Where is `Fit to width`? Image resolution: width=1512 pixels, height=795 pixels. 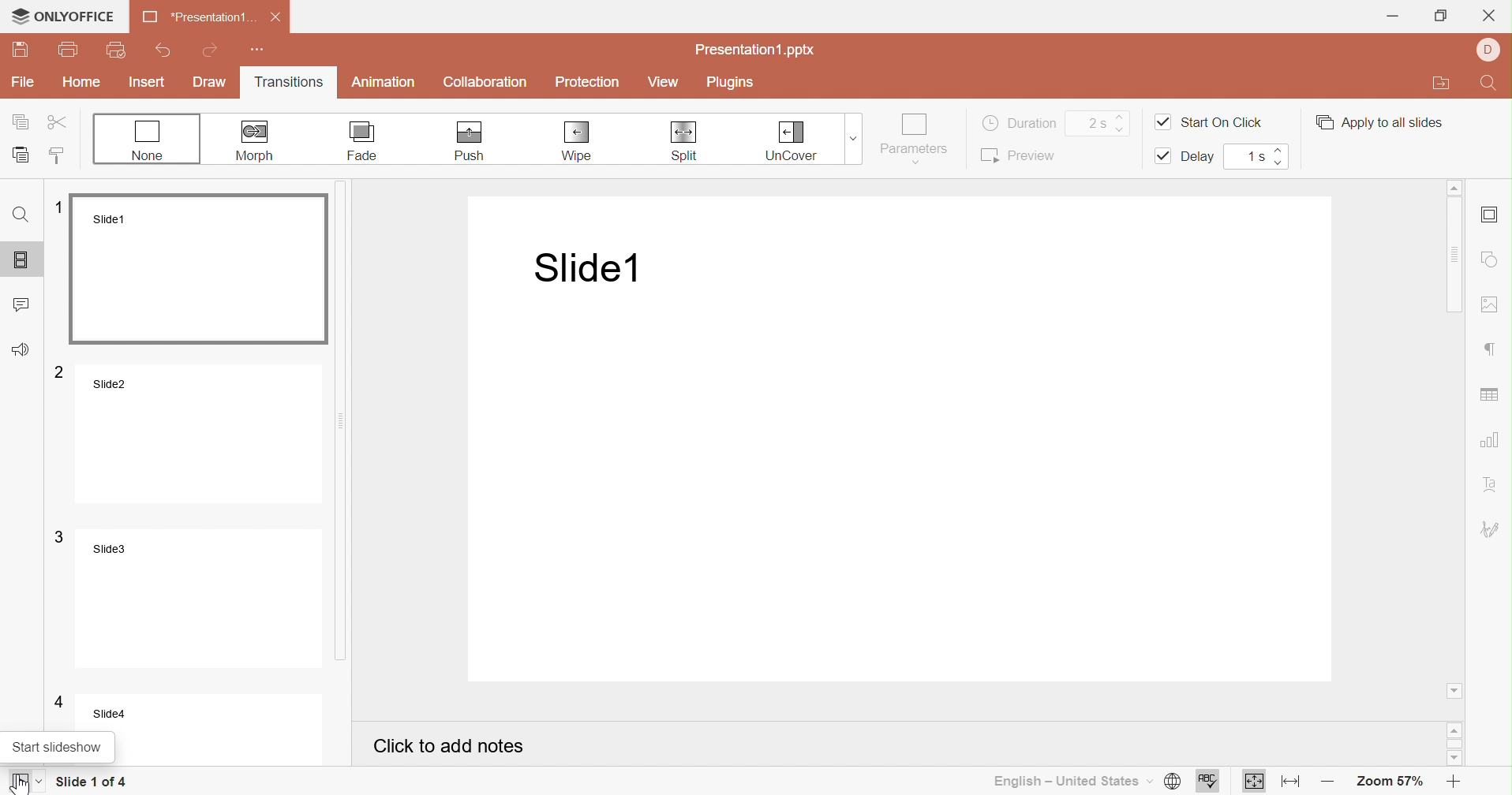
Fit to width is located at coordinates (1293, 783).